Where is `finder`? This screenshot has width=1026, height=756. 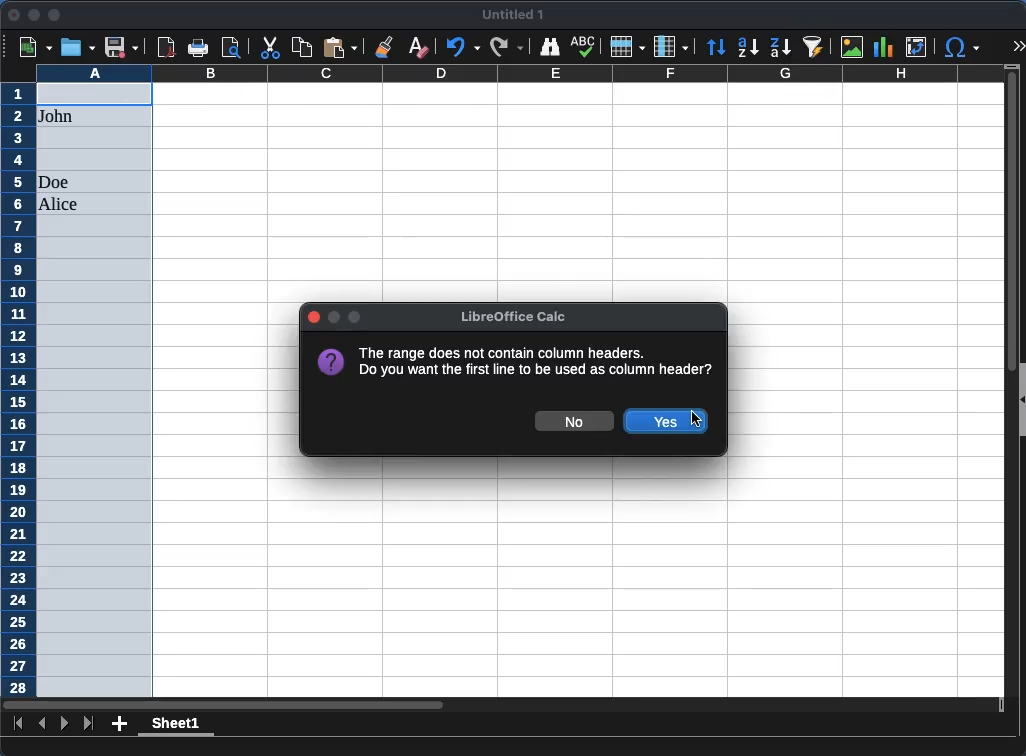 finder is located at coordinates (549, 48).